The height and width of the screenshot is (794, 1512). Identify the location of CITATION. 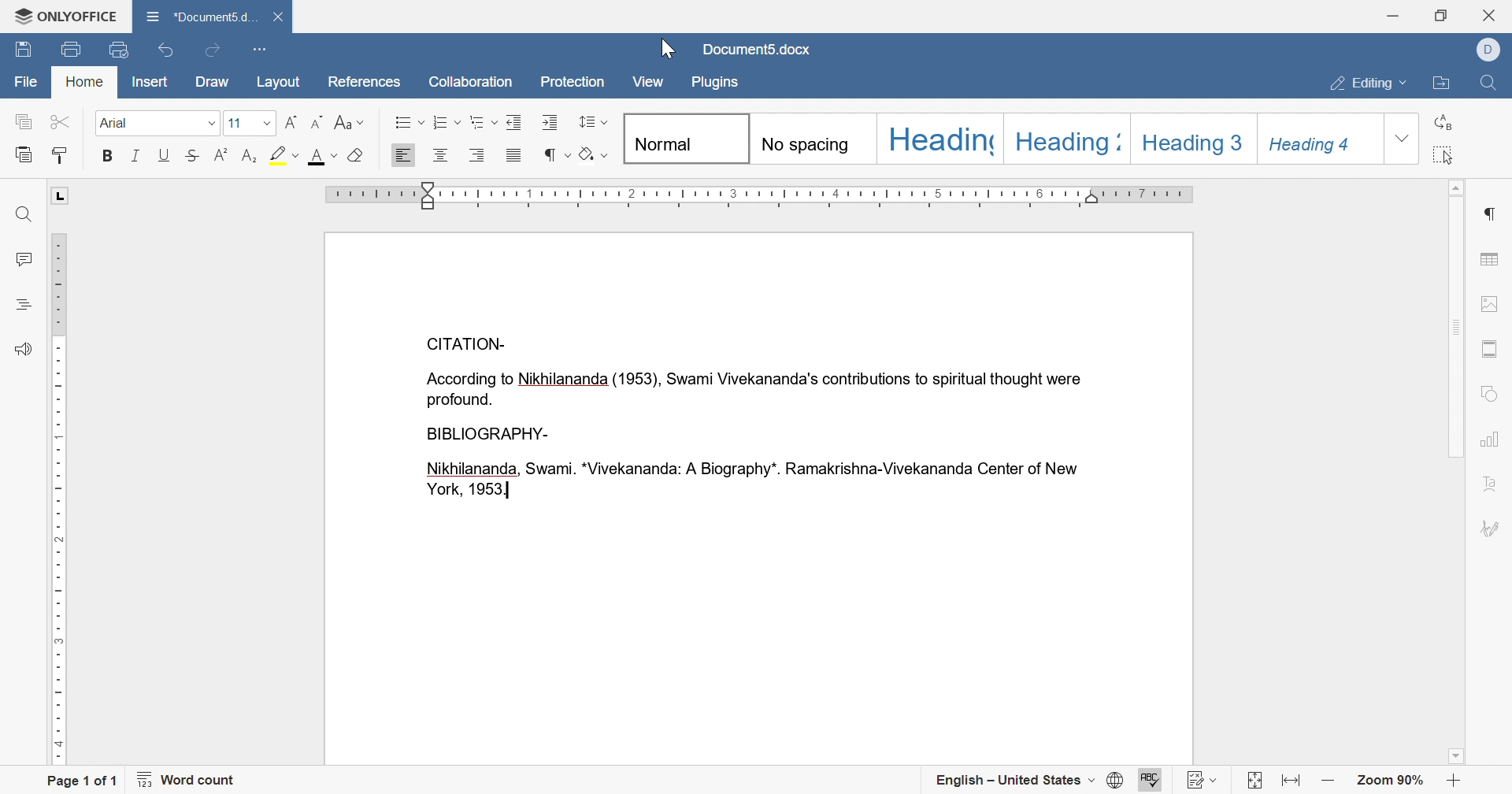
(467, 344).